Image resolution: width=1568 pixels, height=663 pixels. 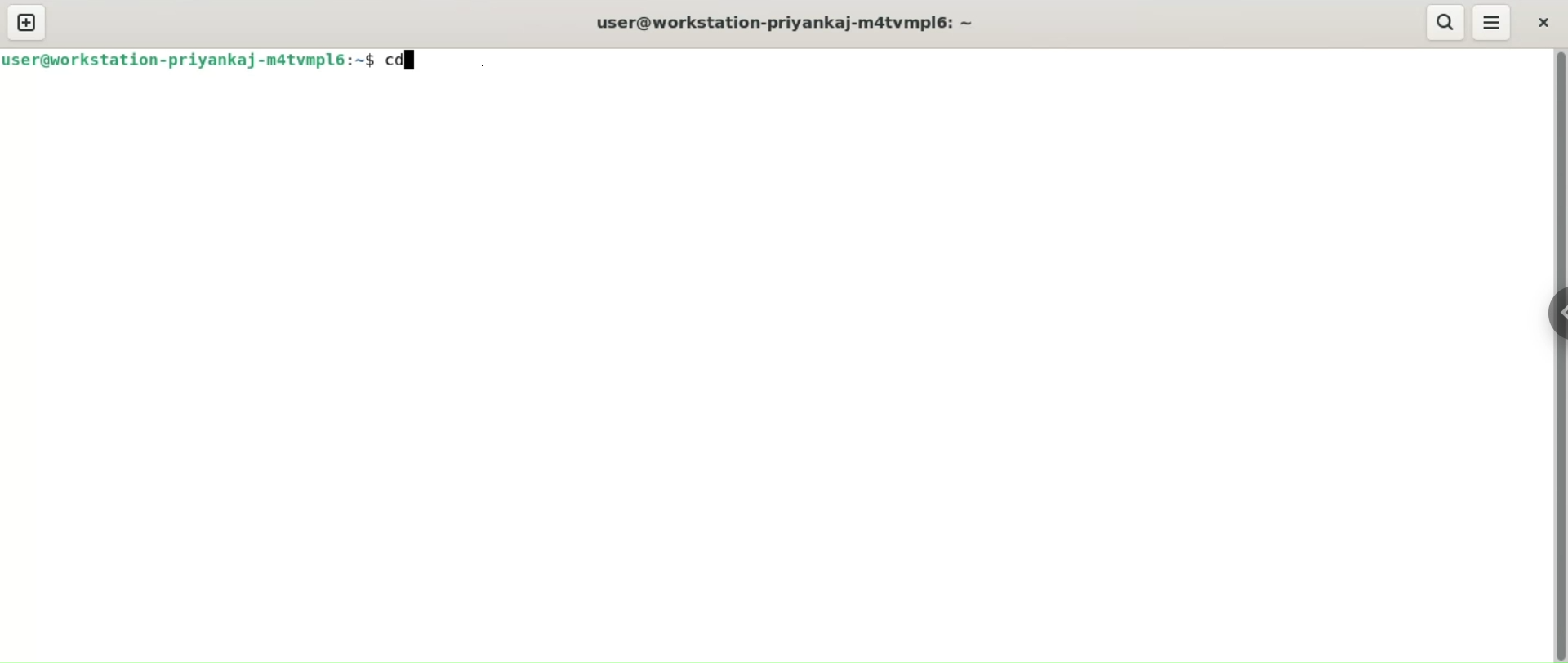 I want to click on user@workstation-priyankaj-m4atvmpl6:~, so click(x=791, y=23).